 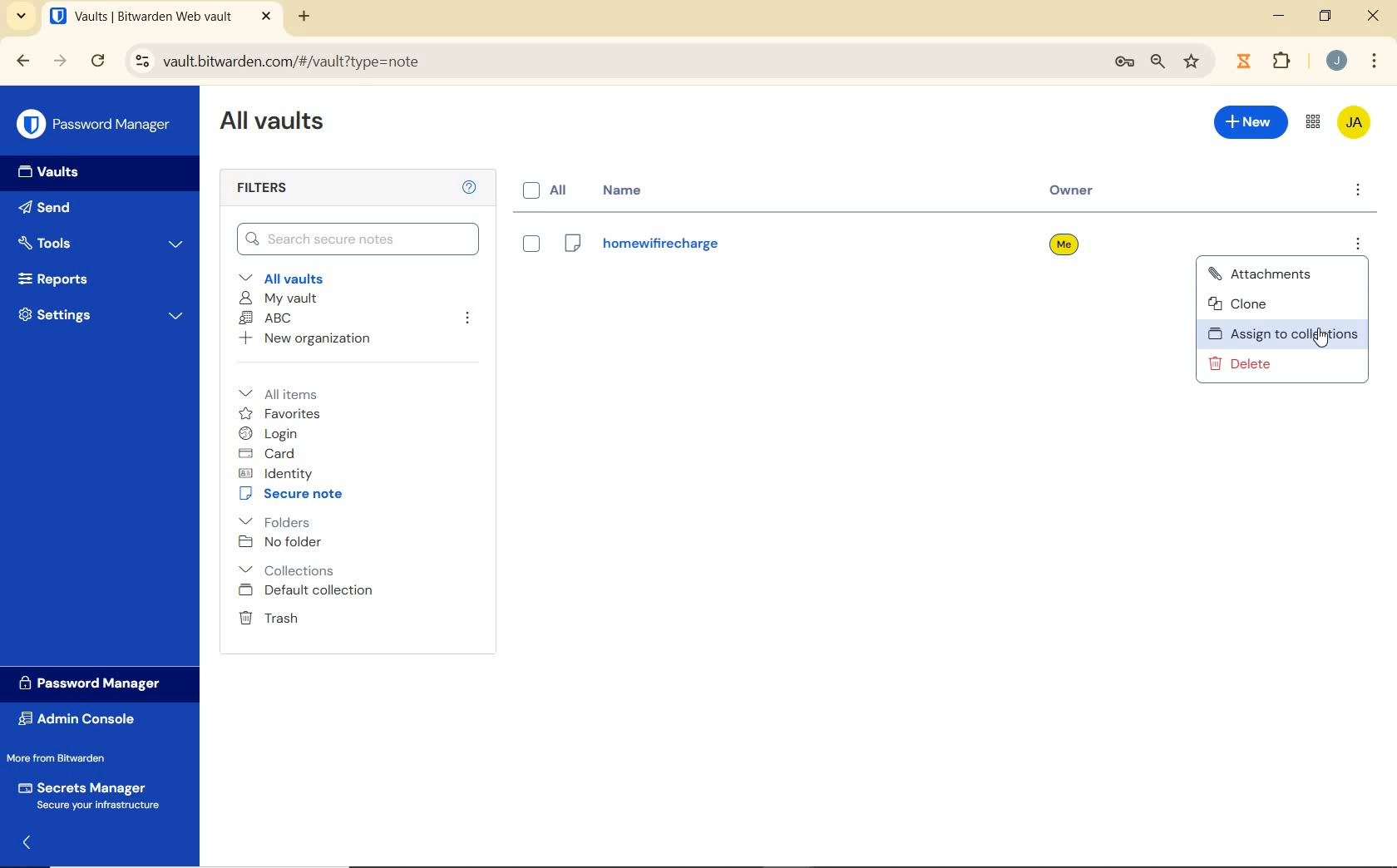 What do you see at coordinates (607, 62) in the screenshot?
I see `address bar` at bounding box center [607, 62].